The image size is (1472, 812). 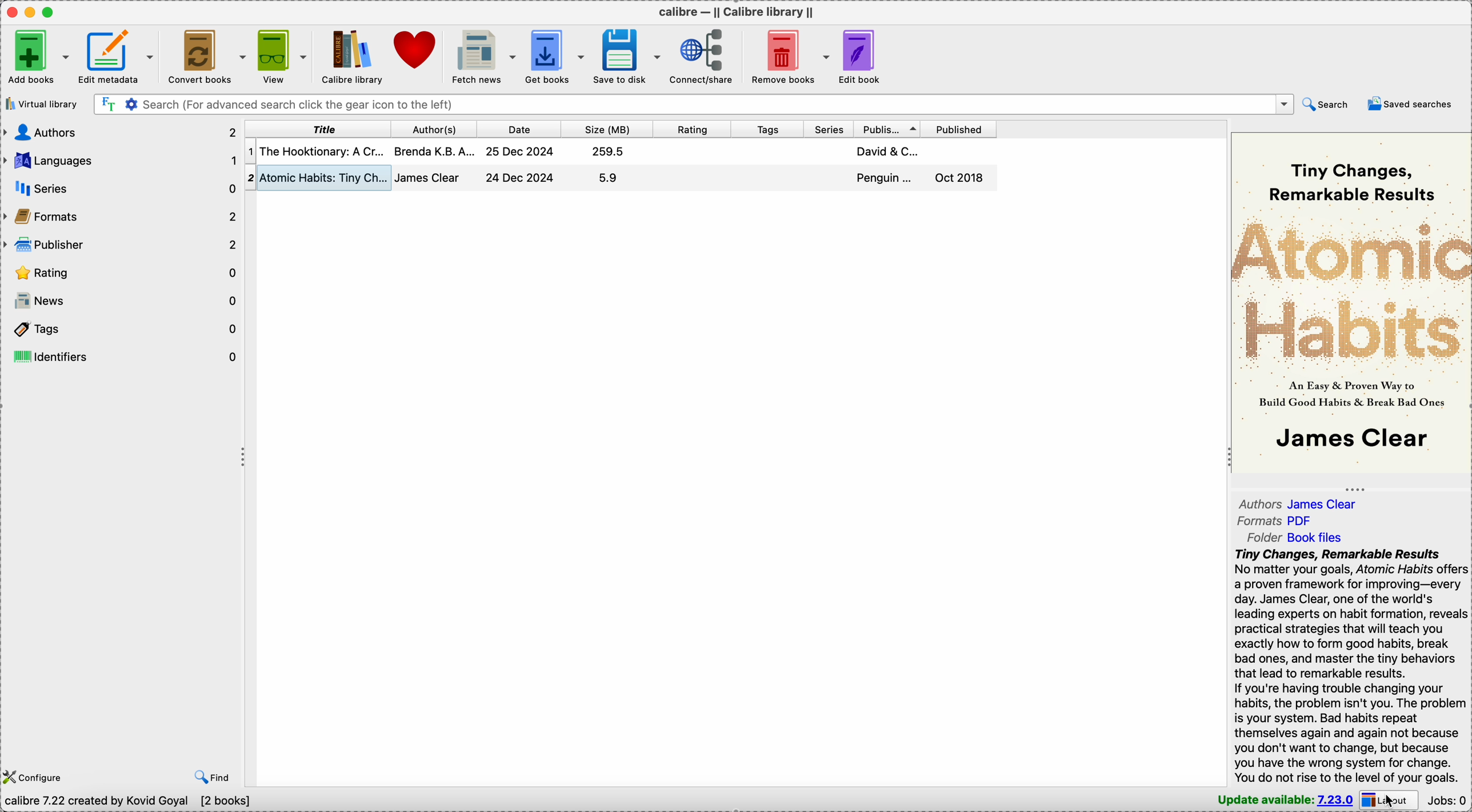 What do you see at coordinates (889, 129) in the screenshot?
I see `publisher` at bounding box center [889, 129].